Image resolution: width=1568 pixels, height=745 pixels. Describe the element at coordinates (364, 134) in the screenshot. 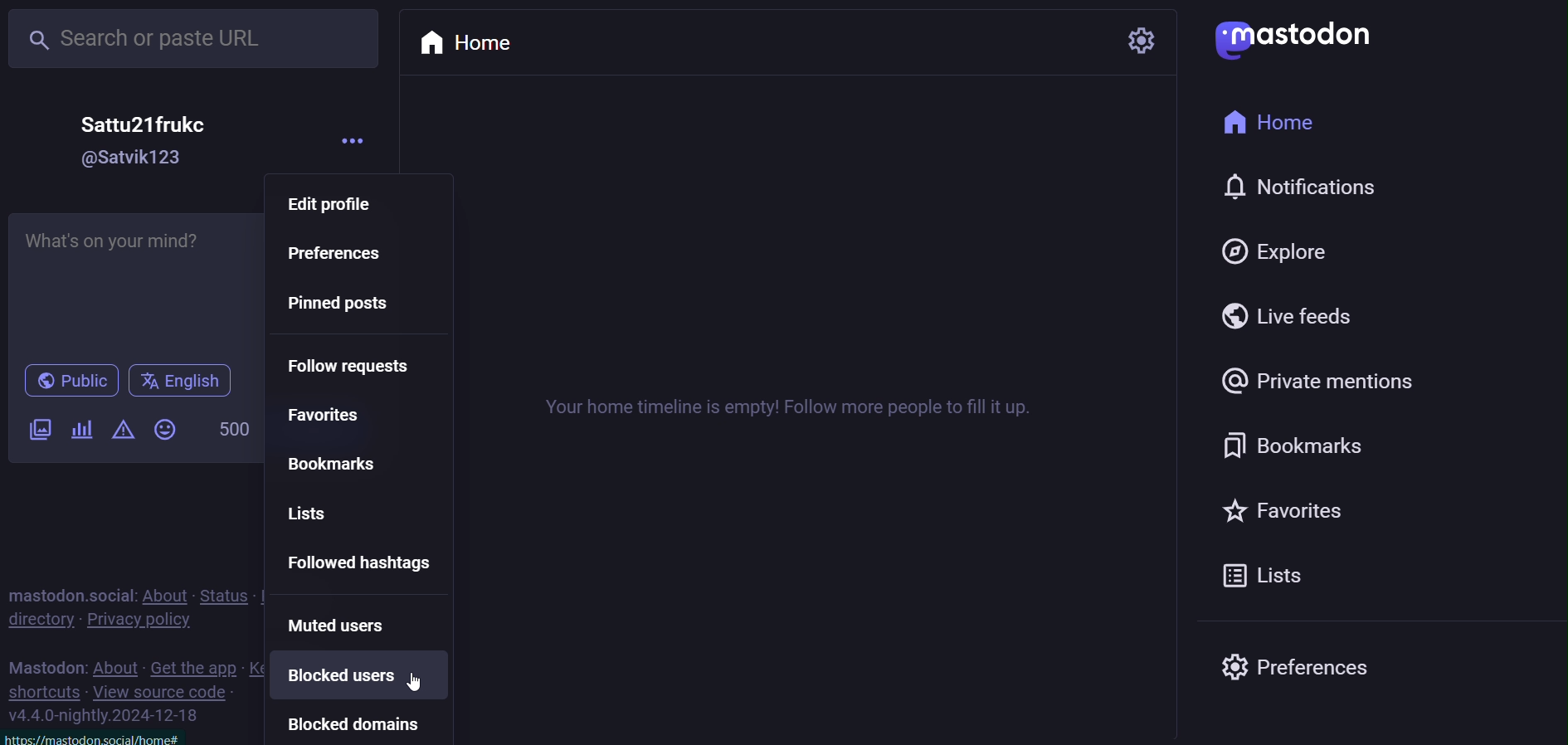

I see `menu` at that location.